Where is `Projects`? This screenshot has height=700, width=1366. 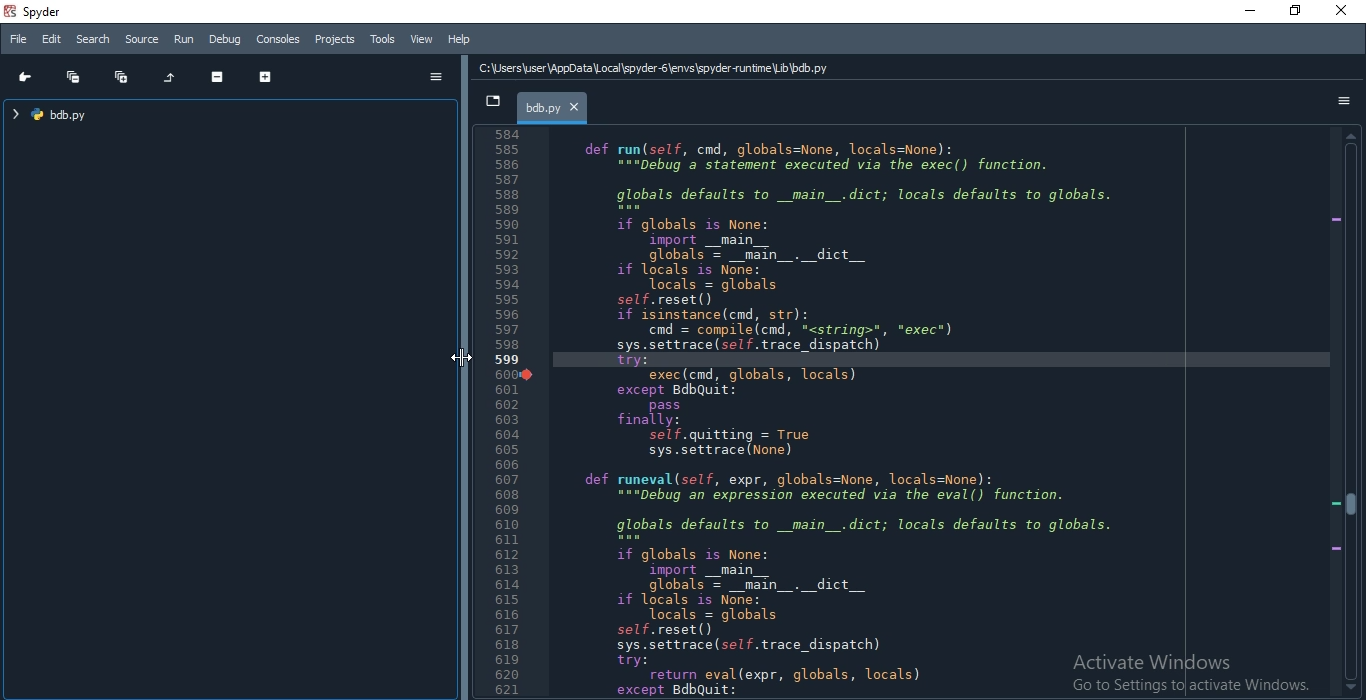 Projects is located at coordinates (335, 38).